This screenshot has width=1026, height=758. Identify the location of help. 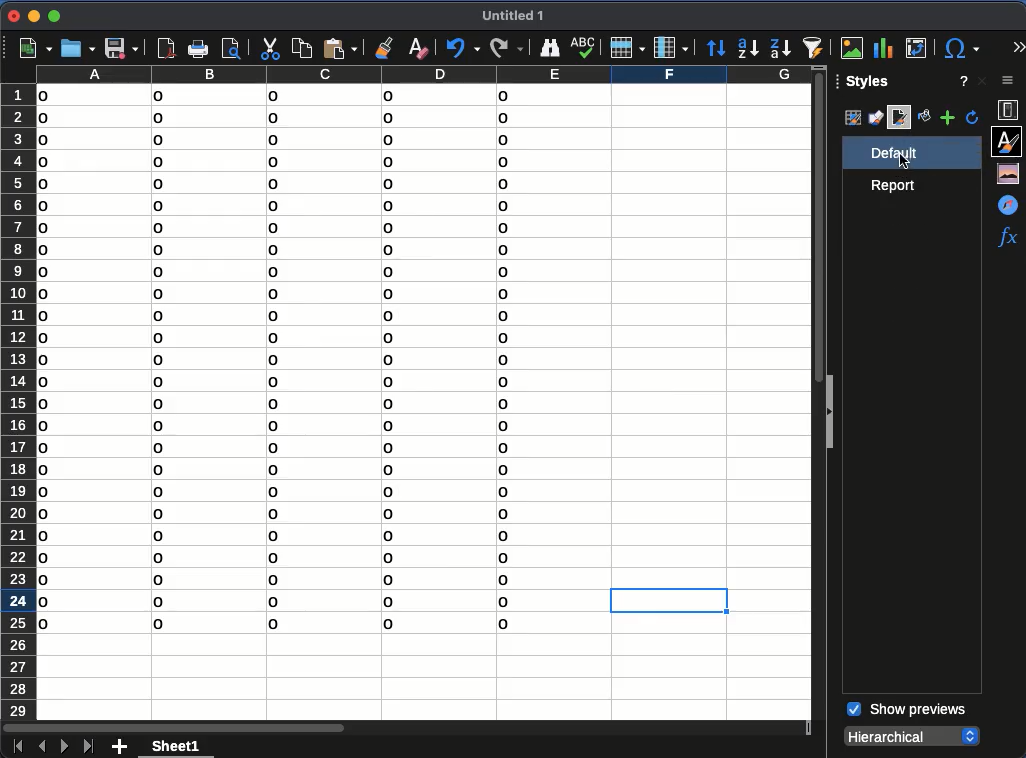
(961, 81).